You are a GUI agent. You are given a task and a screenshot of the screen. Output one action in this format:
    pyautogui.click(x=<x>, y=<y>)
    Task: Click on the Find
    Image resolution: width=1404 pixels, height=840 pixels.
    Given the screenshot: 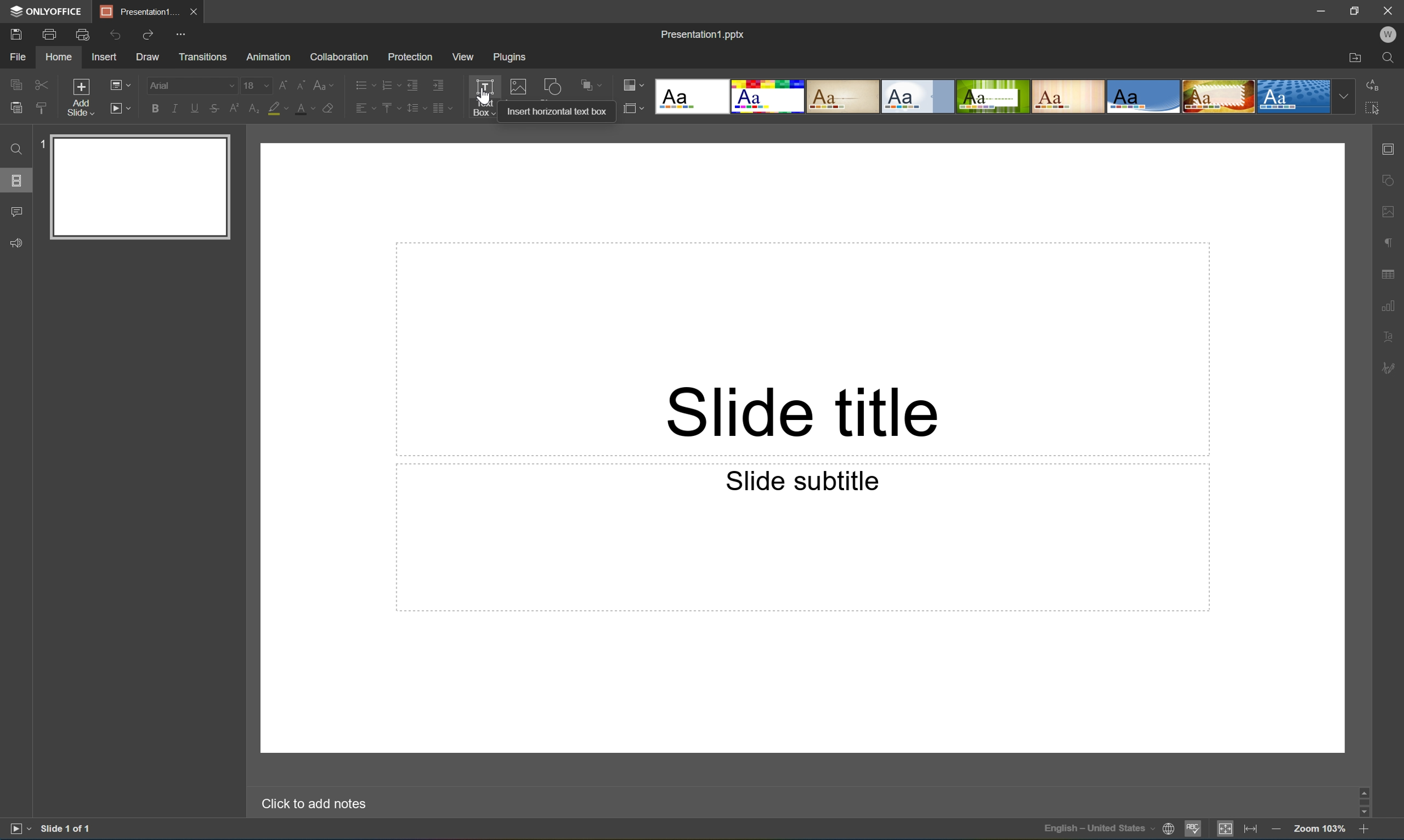 What is the action you would take?
    pyautogui.click(x=1393, y=58)
    